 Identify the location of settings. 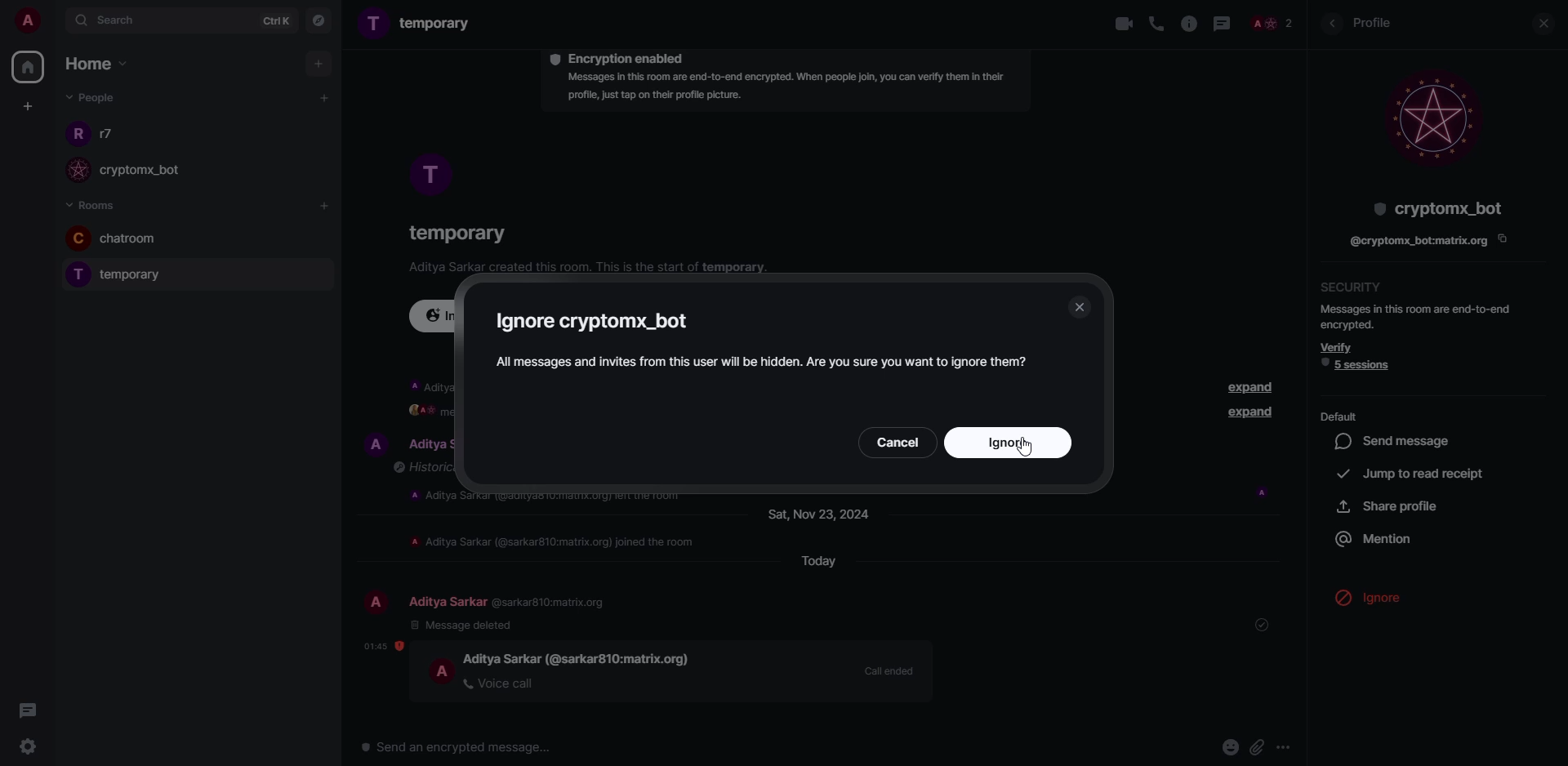
(32, 747).